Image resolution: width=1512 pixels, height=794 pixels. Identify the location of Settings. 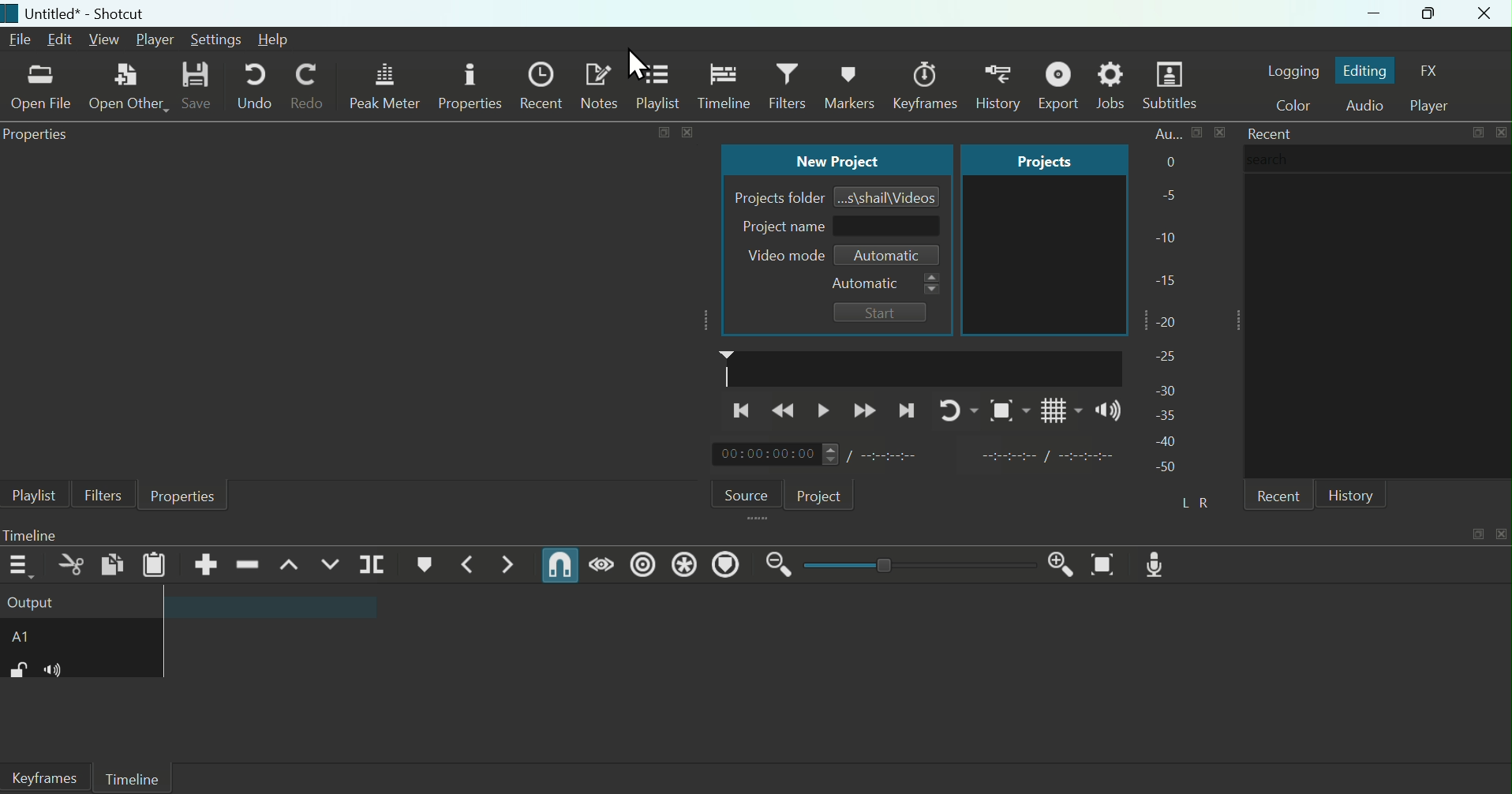
(216, 39).